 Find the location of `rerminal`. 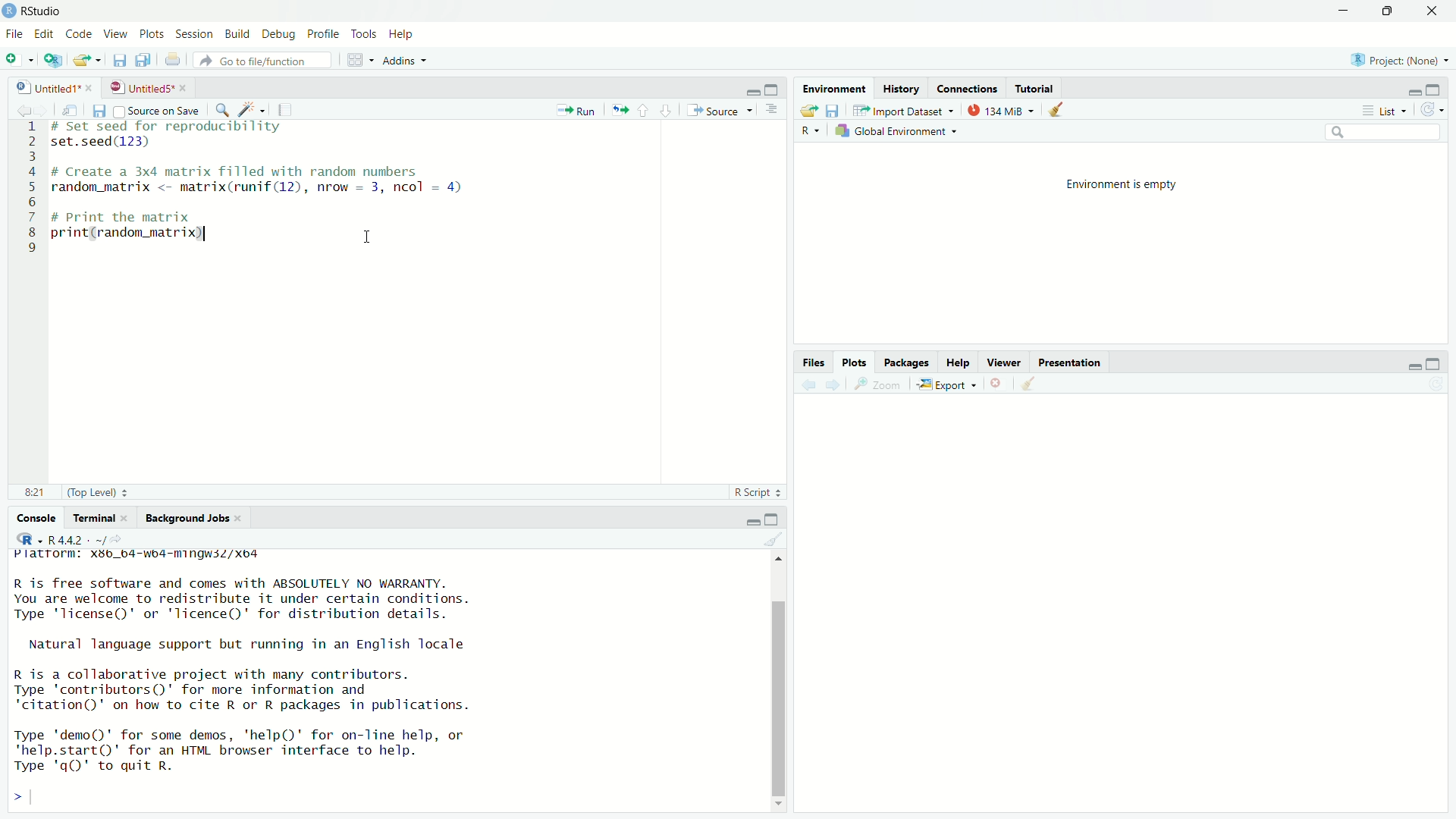

rerminal is located at coordinates (98, 517).